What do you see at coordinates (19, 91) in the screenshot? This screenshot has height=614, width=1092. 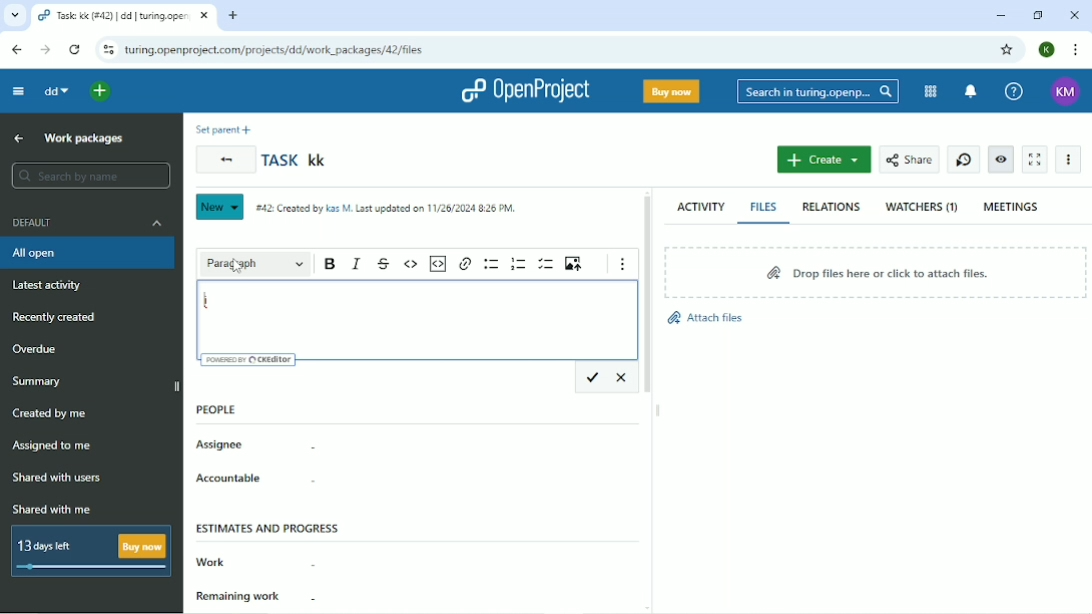 I see `Collapse project menu` at bounding box center [19, 91].